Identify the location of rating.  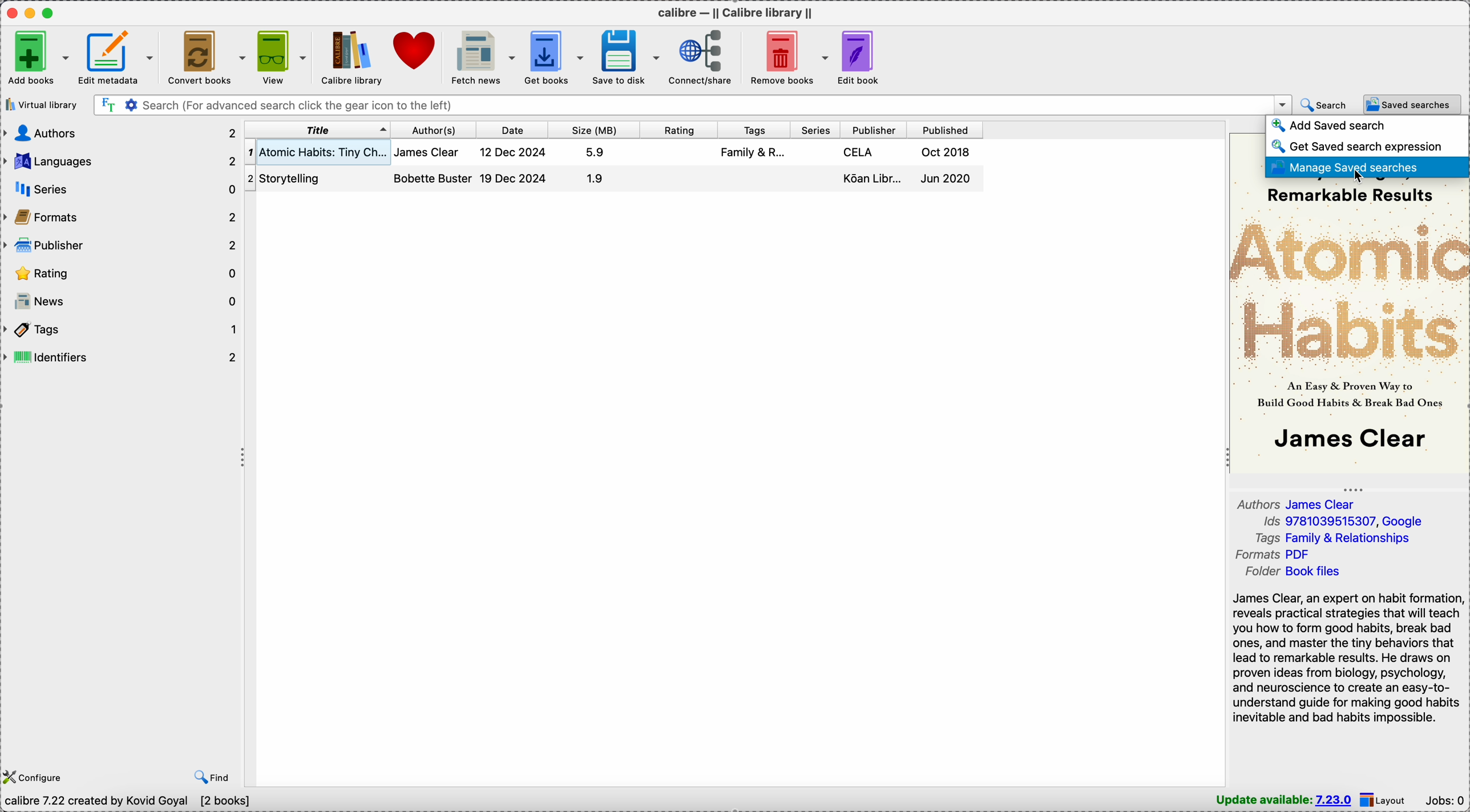
(677, 130).